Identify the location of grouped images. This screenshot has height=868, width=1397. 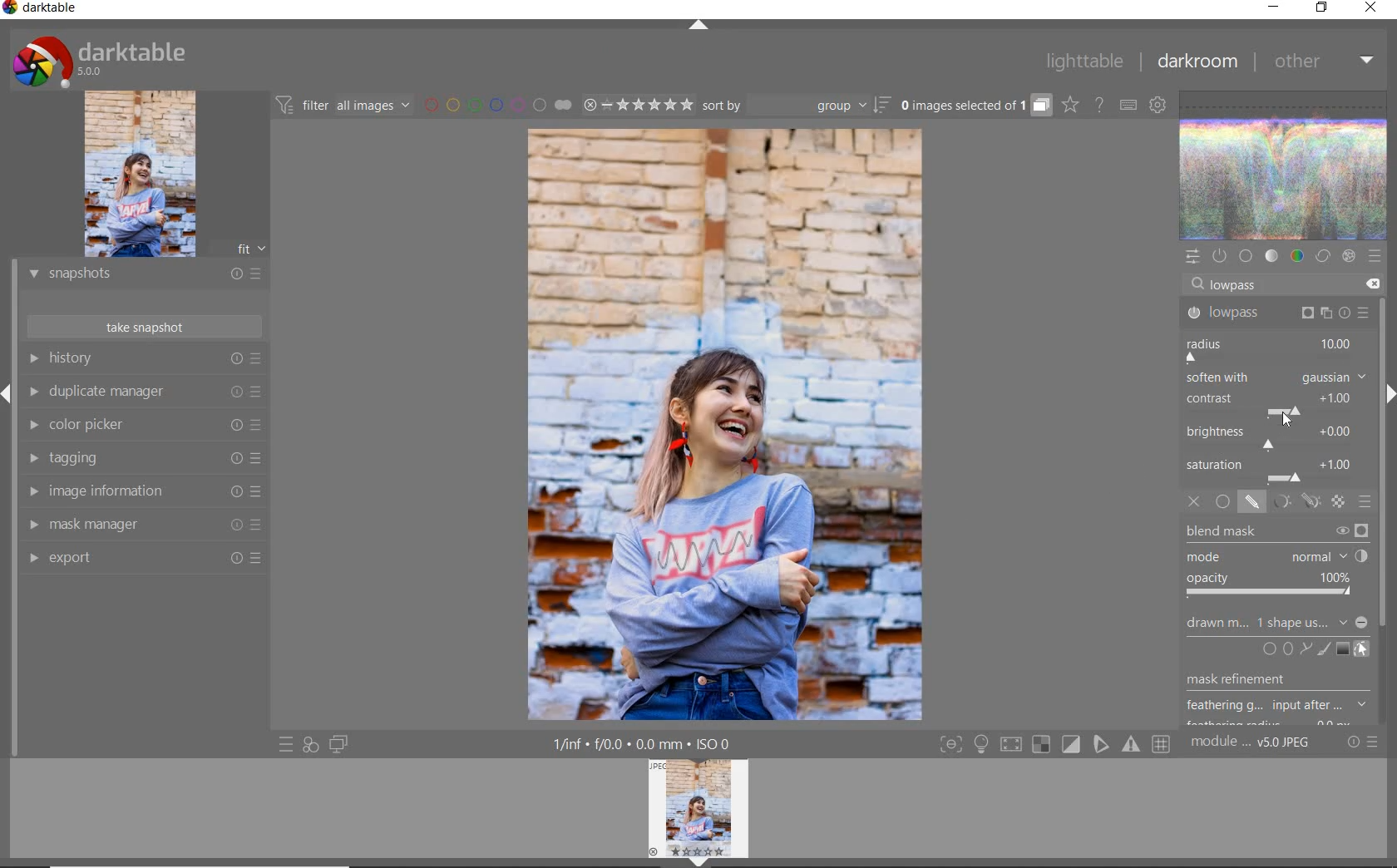
(975, 106).